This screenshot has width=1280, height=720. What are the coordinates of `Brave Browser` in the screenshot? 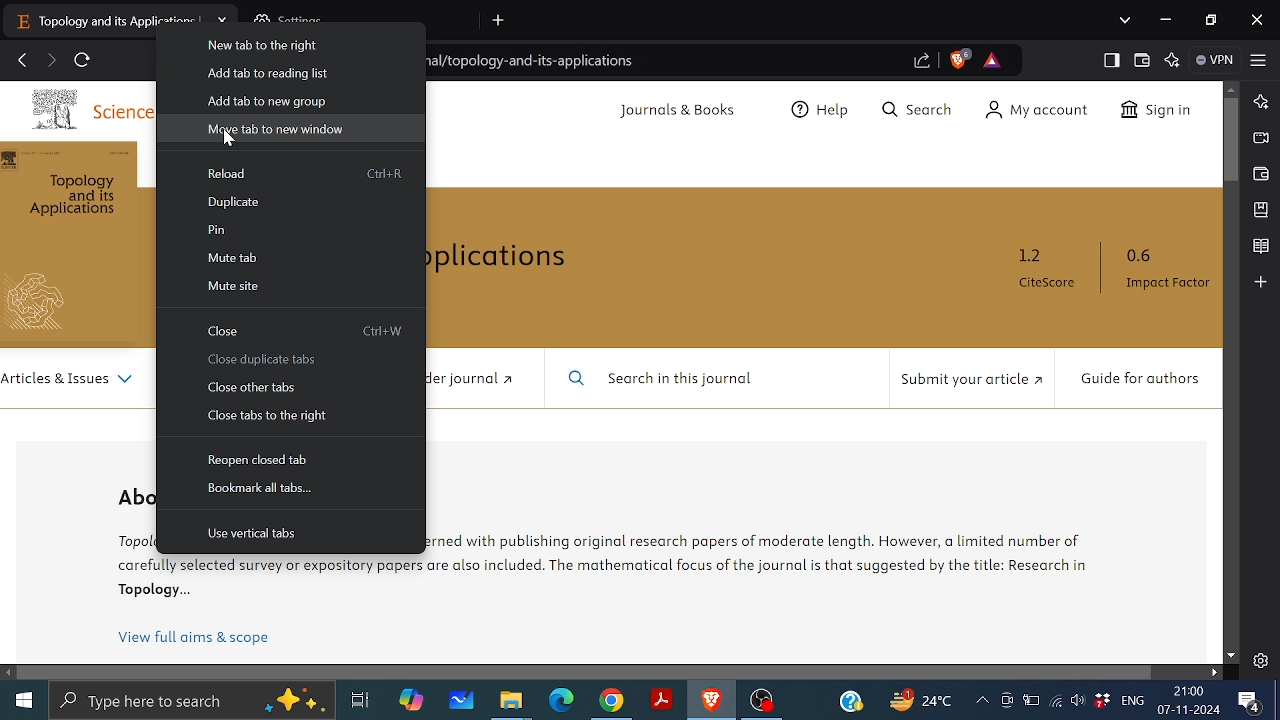 It's located at (711, 701).